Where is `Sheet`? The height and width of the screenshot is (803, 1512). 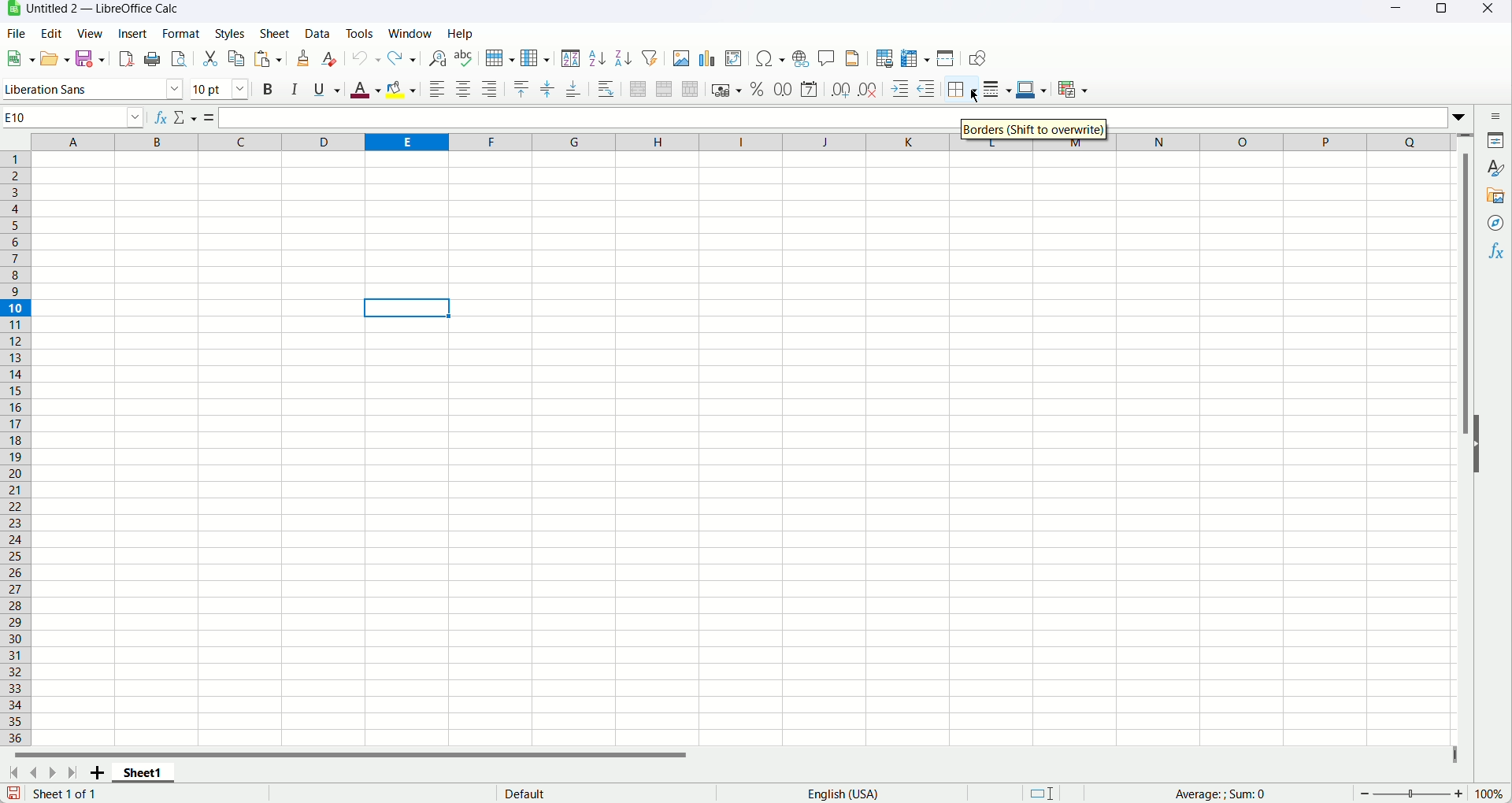
Sheet is located at coordinates (277, 34).